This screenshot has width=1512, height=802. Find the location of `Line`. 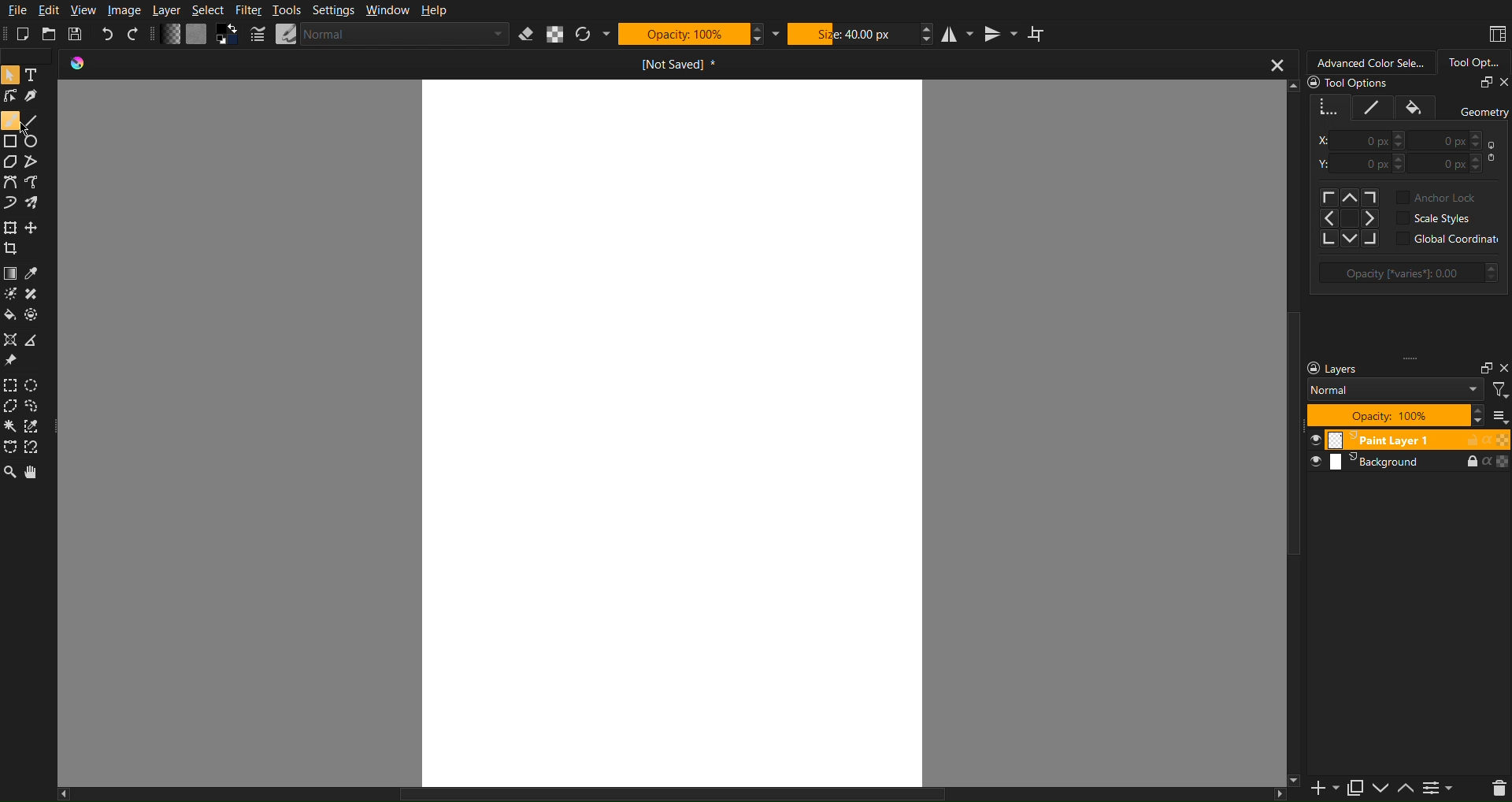

Line is located at coordinates (39, 121).